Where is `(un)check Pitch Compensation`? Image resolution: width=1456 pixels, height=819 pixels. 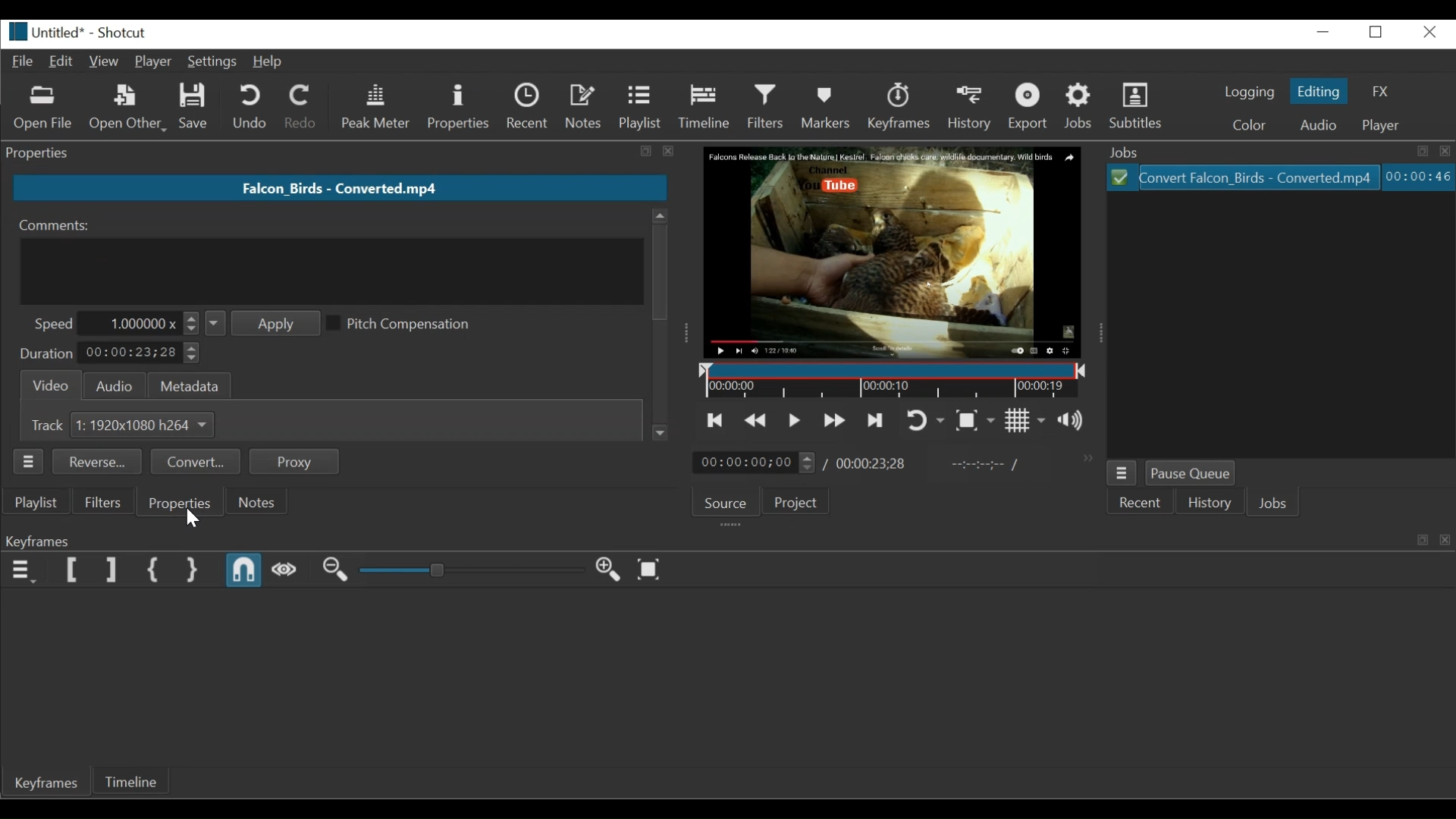
(un)check Pitch Compensation is located at coordinates (415, 322).